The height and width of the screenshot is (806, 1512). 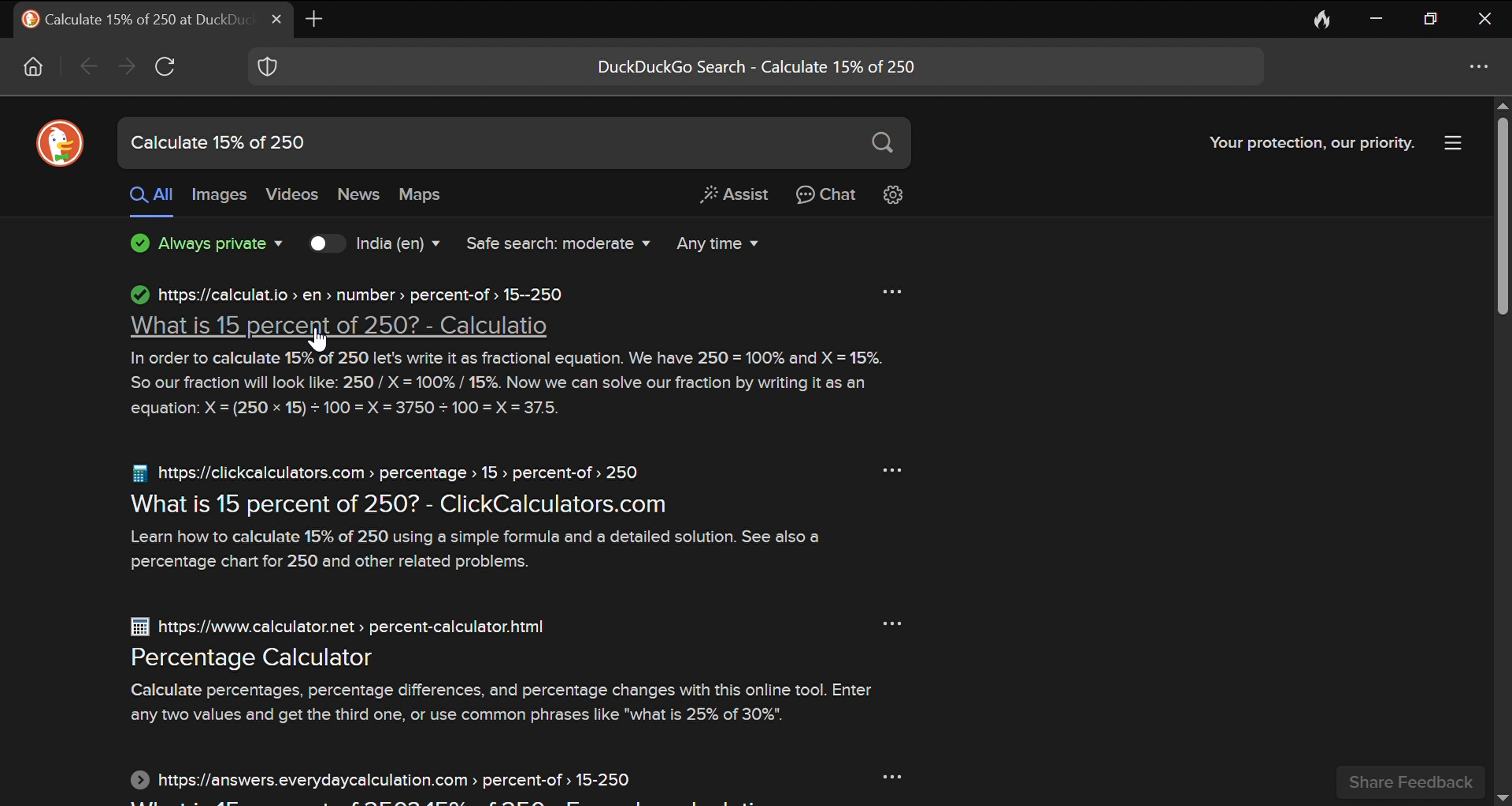 What do you see at coordinates (402, 505) in the screenshot?
I see `result 2: What is 15 percent of 2507 - ClickCalculators.com` at bounding box center [402, 505].